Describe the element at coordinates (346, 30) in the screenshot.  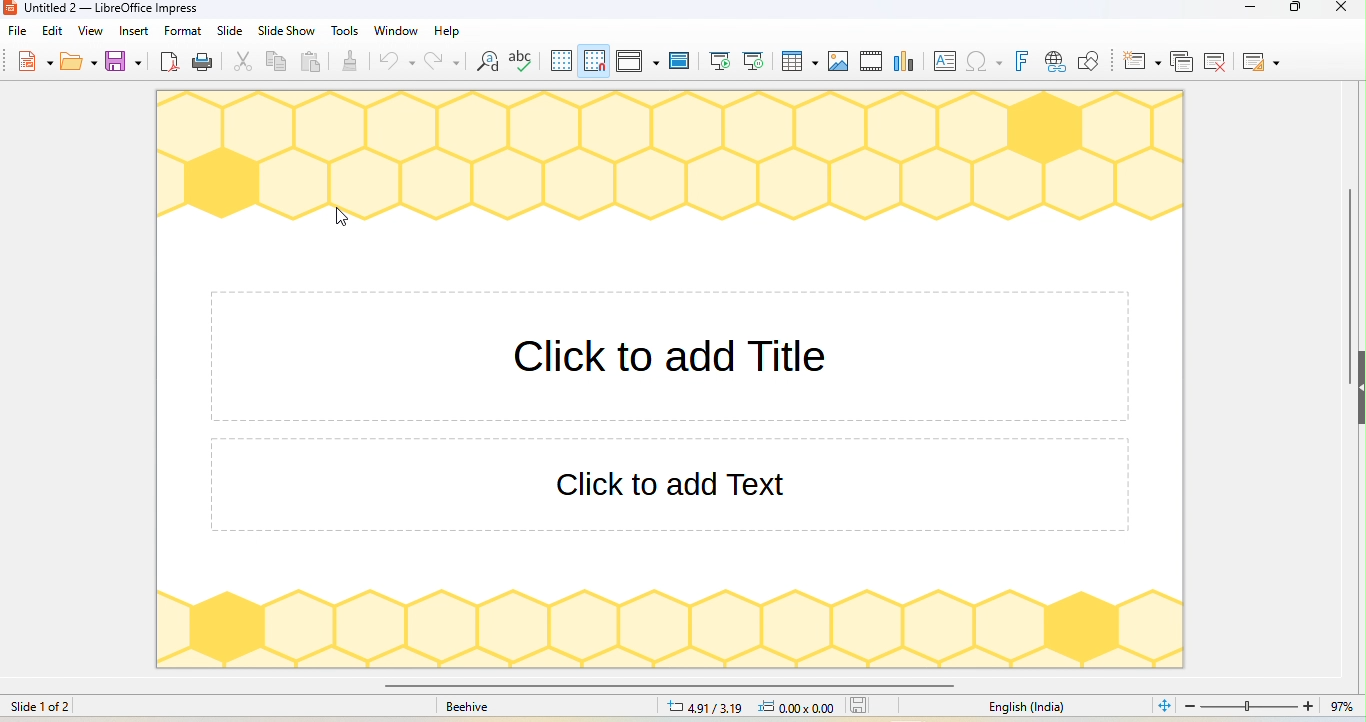
I see `tools` at that location.